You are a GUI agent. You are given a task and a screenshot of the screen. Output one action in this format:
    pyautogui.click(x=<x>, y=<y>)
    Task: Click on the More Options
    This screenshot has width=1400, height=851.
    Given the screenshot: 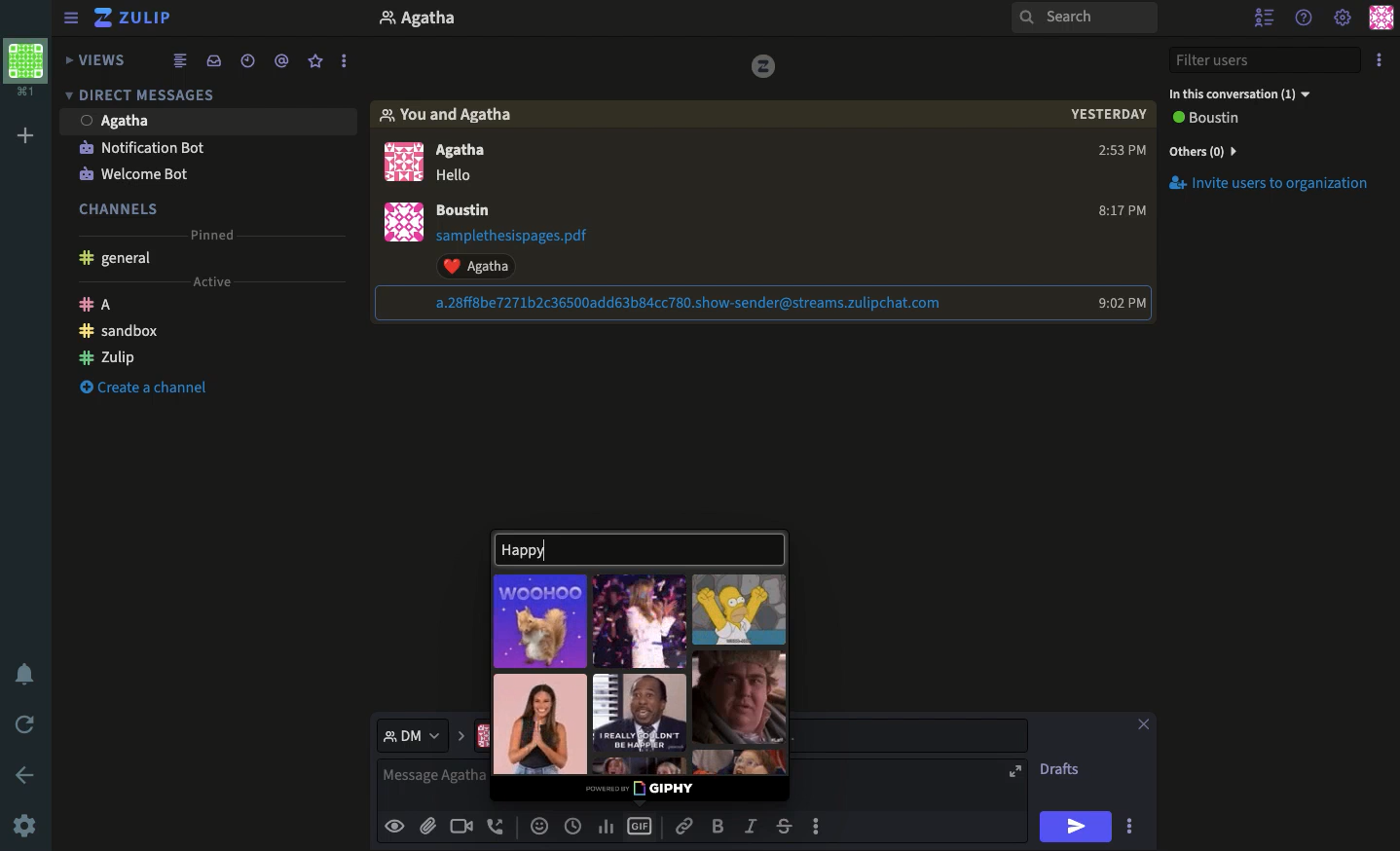 What is the action you would take?
    pyautogui.click(x=350, y=60)
    